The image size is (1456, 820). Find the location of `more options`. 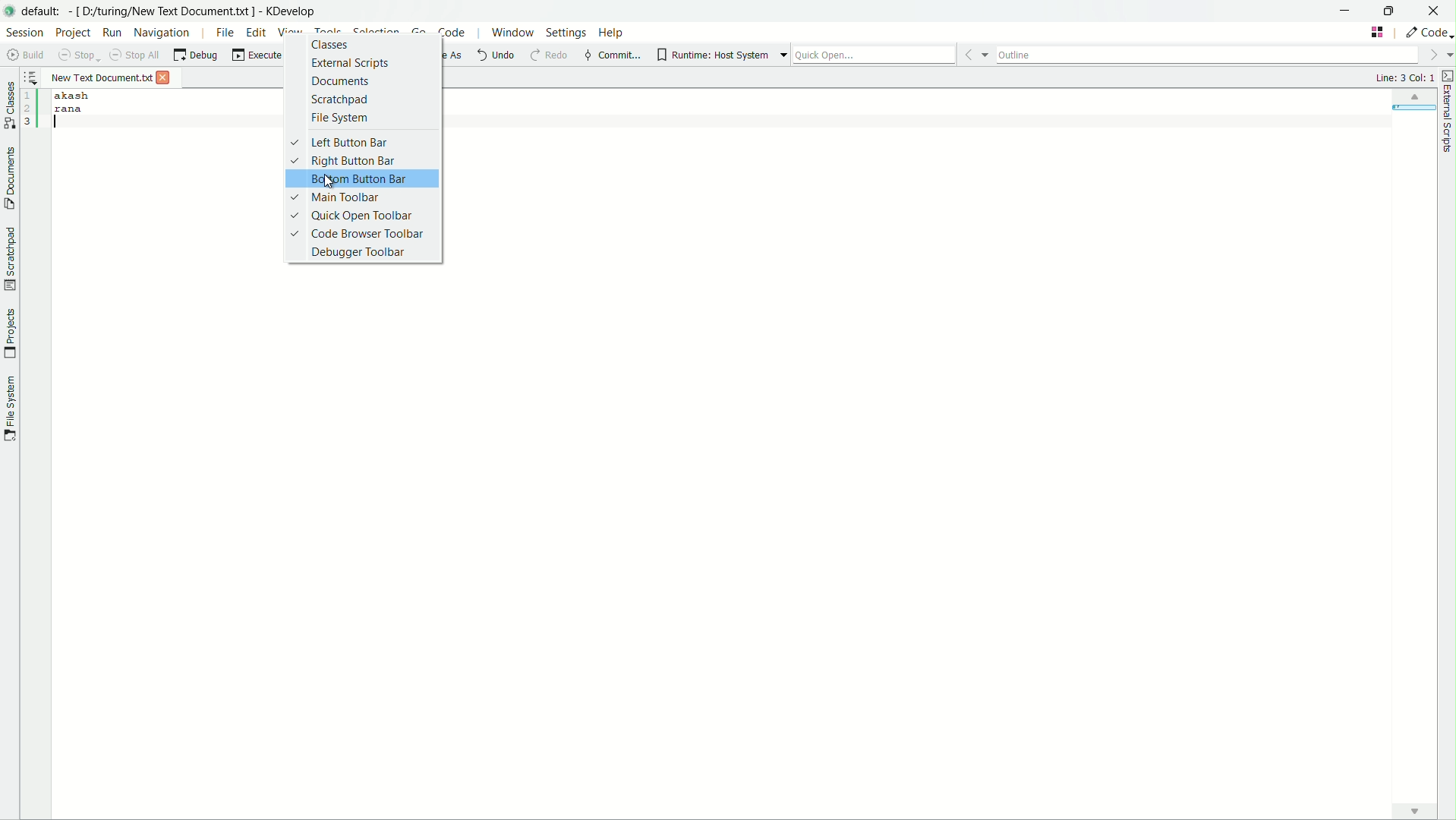

more options is located at coordinates (780, 54).